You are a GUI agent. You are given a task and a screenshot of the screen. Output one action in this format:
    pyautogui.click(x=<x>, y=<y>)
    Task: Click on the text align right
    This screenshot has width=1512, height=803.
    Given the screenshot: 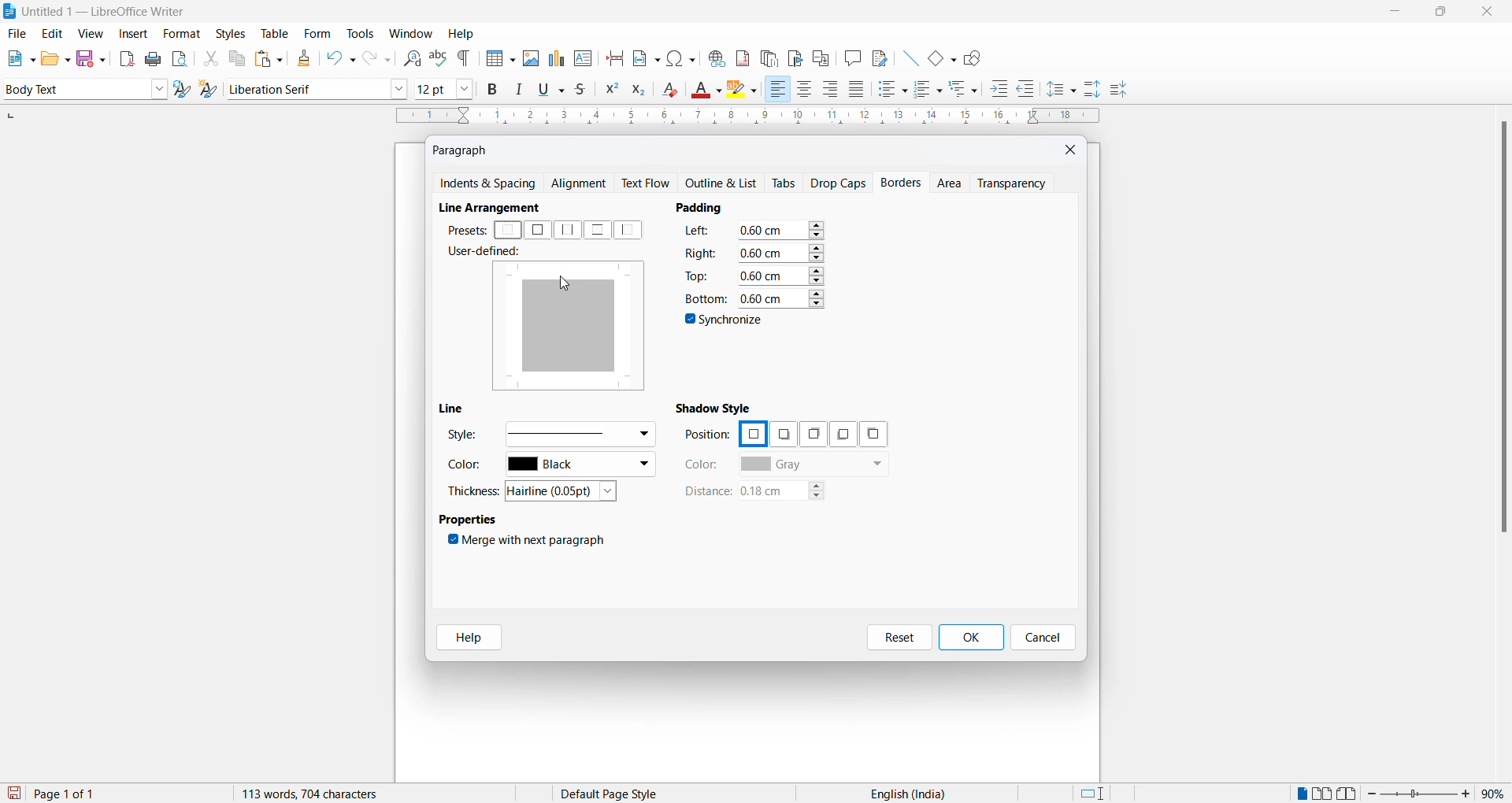 What is the action you would take?
    pyautogui.click(x=833, y=90)
    